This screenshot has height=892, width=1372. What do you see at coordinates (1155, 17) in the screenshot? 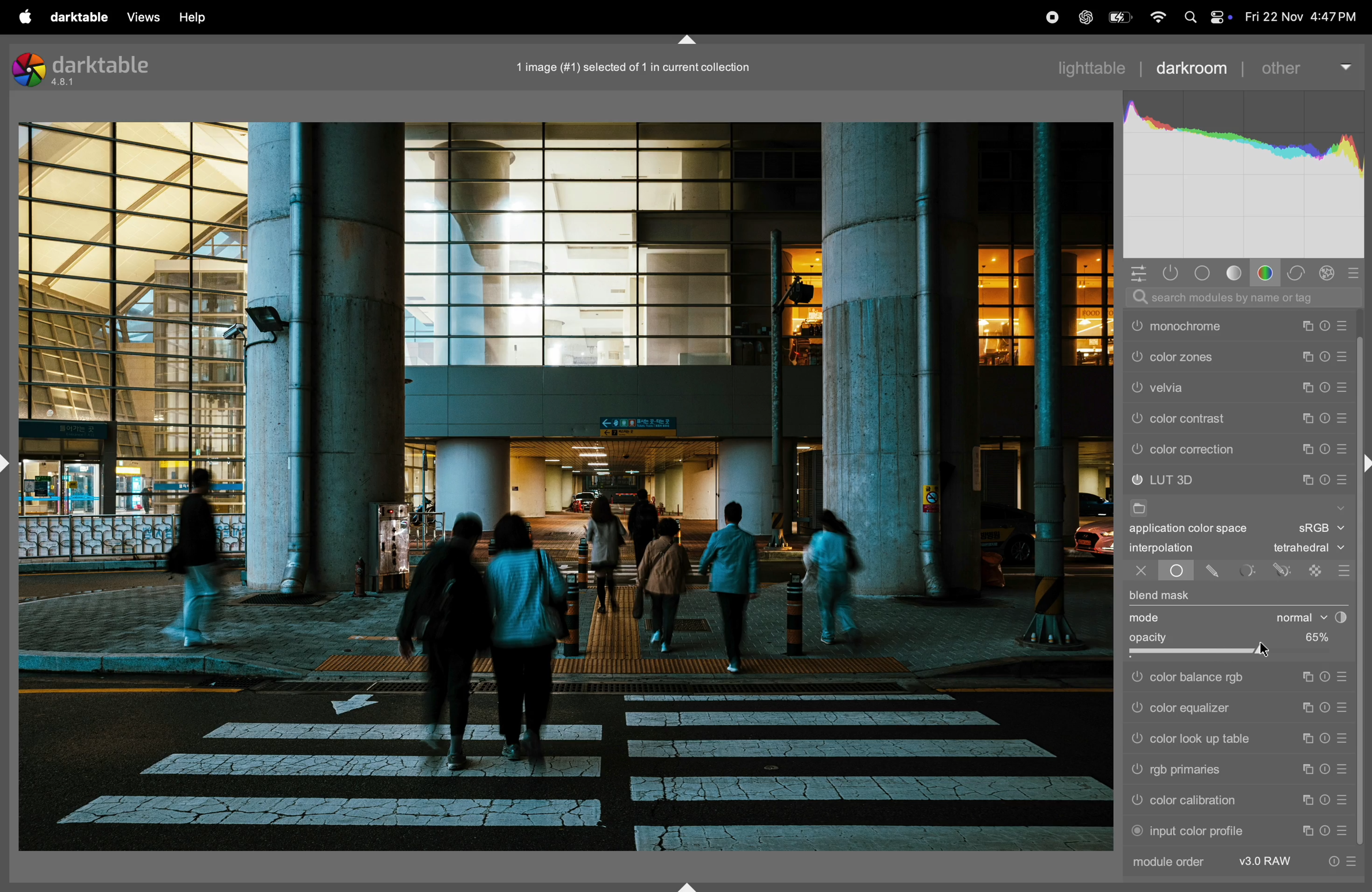
I see `wifi` at bounding box center [1155, 17].